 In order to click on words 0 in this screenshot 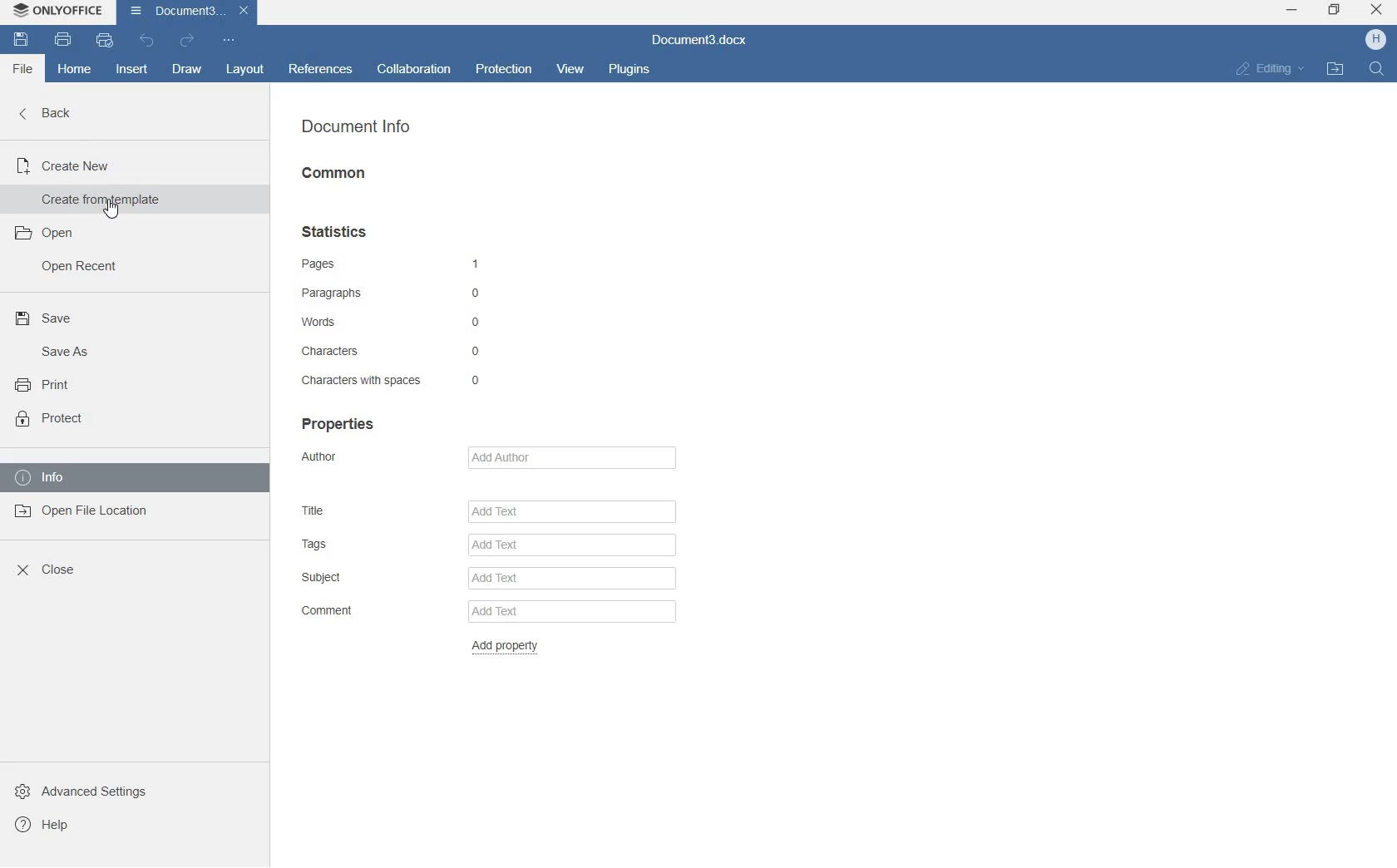, I will do `click(388, 321)`.